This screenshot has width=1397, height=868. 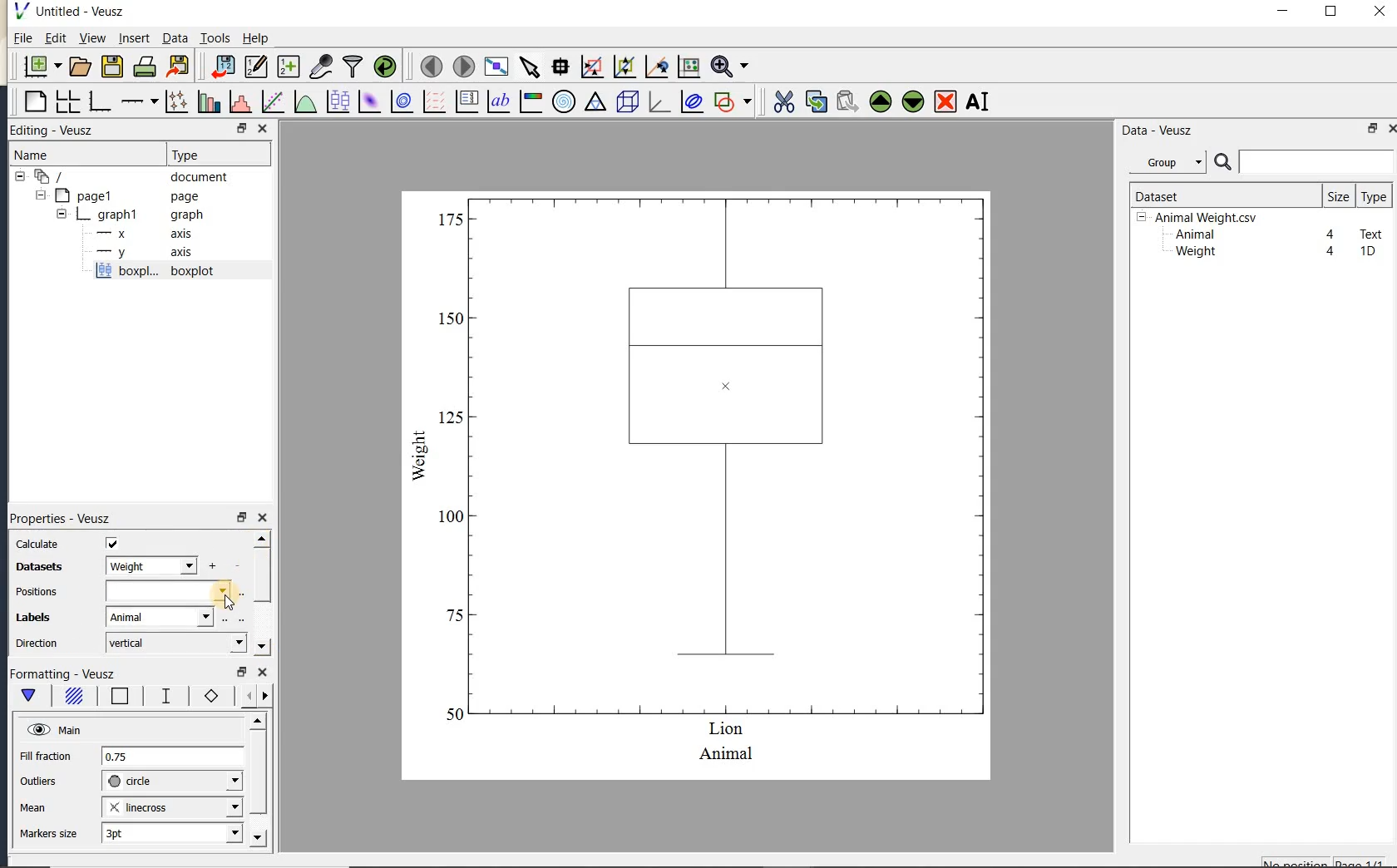 I want to click on Animal, so click(x=159, y=617).